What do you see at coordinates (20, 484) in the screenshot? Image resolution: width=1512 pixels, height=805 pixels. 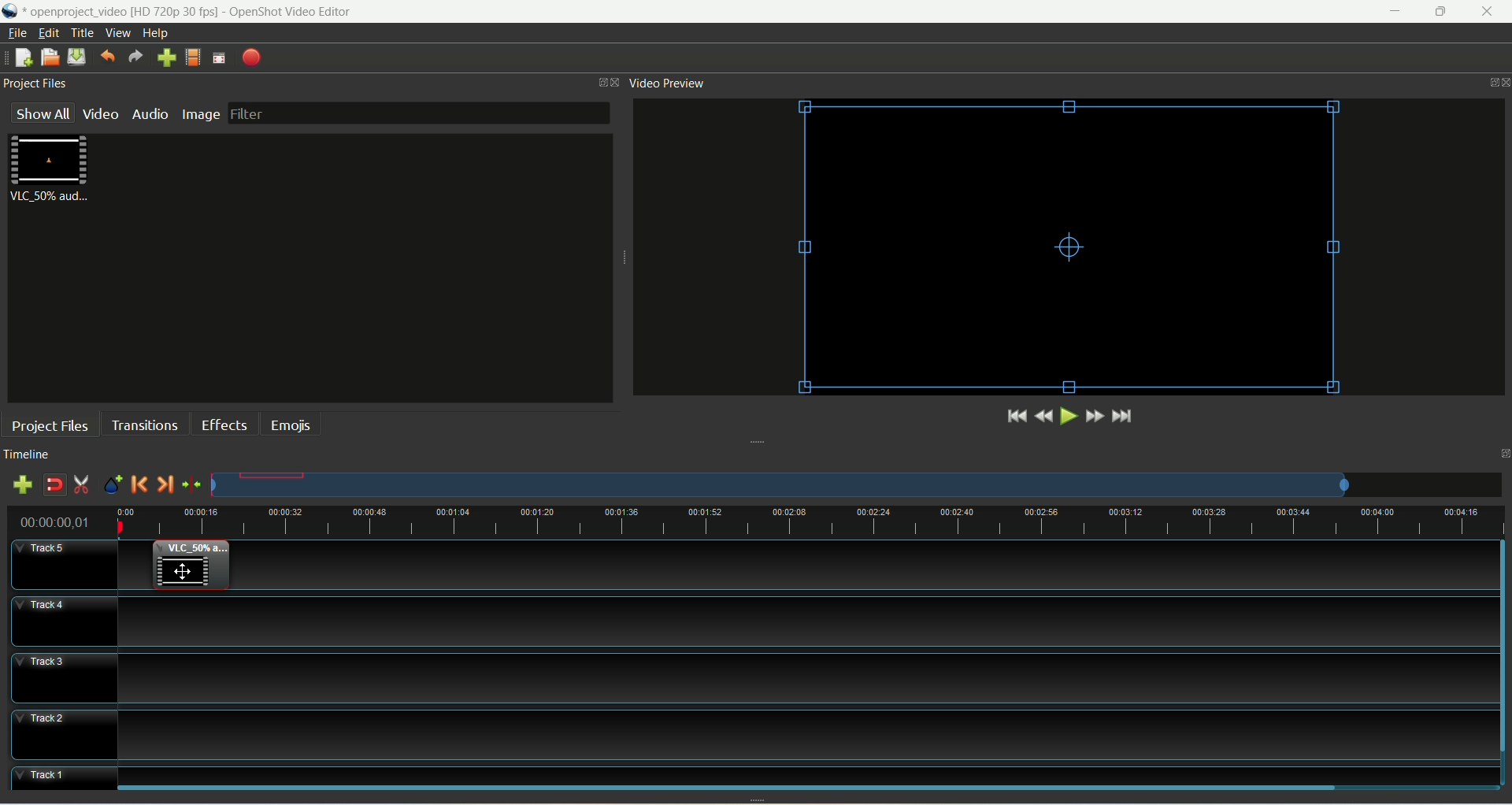 I see `add track` at bounding box center [20, 484].